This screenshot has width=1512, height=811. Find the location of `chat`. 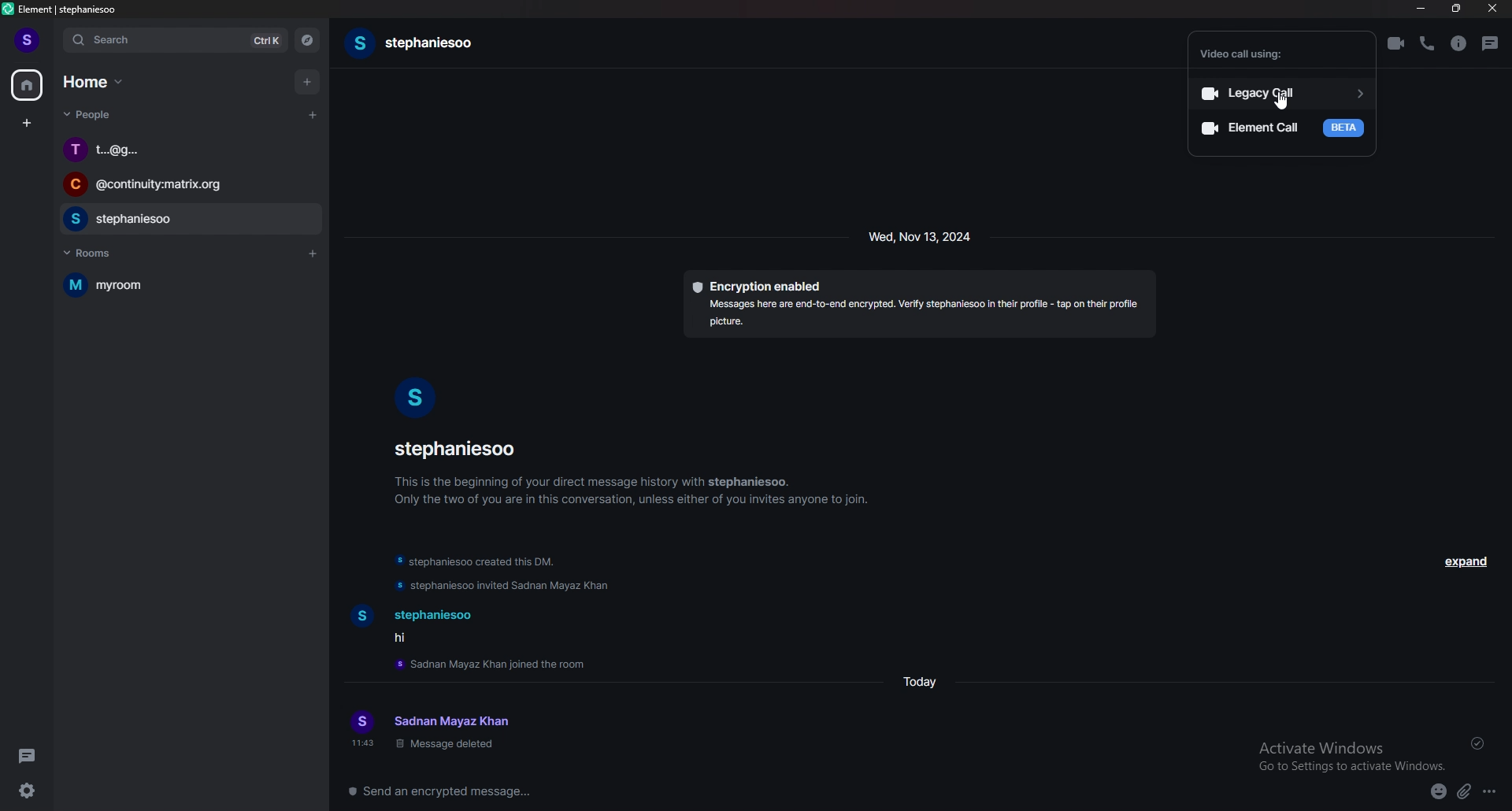

chat is located at coordinates (187, 186).